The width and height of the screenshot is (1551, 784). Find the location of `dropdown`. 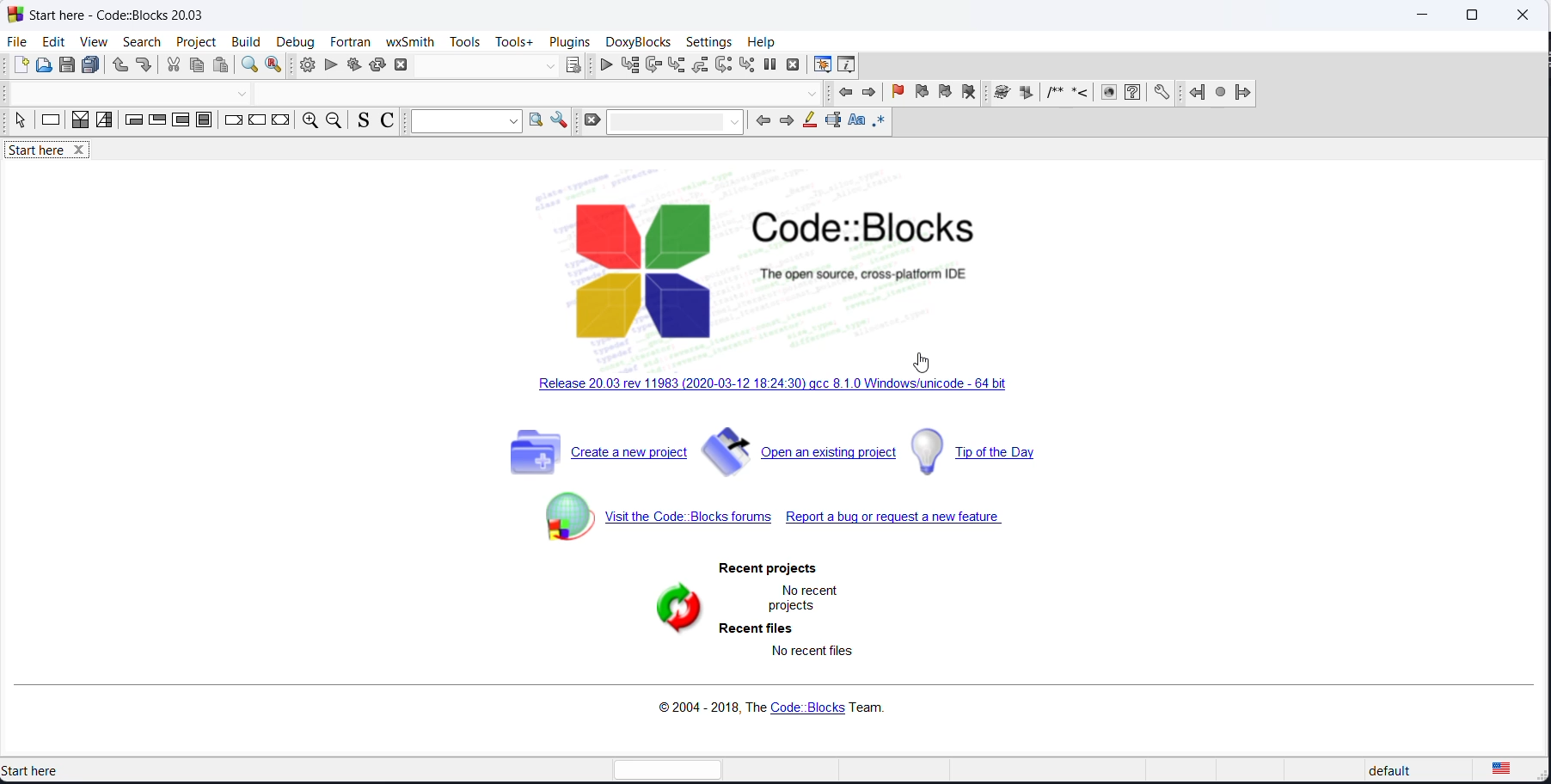

dropdown is located at coordinates (548, 67).